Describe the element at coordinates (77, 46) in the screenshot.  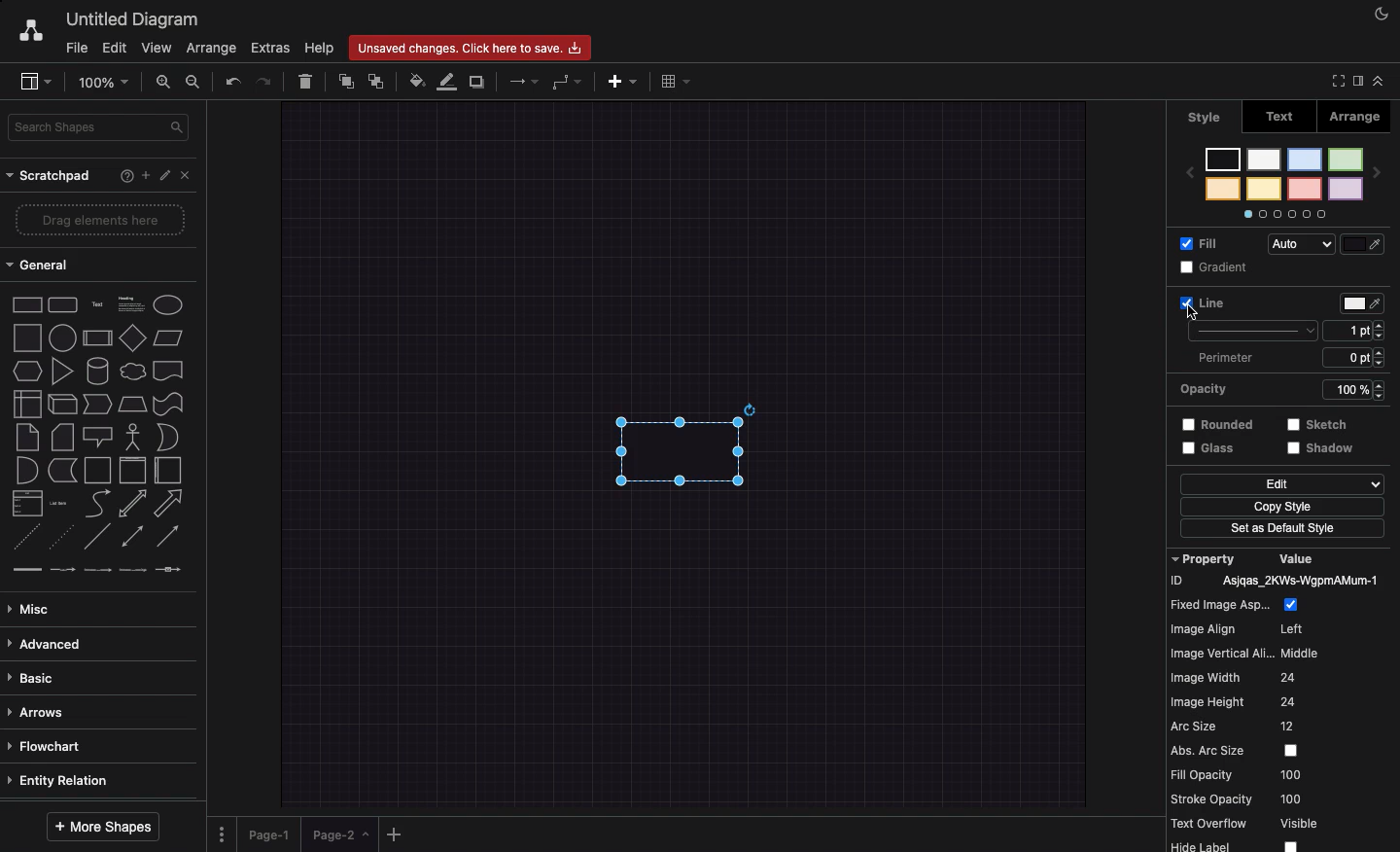
I see `File` at that location.